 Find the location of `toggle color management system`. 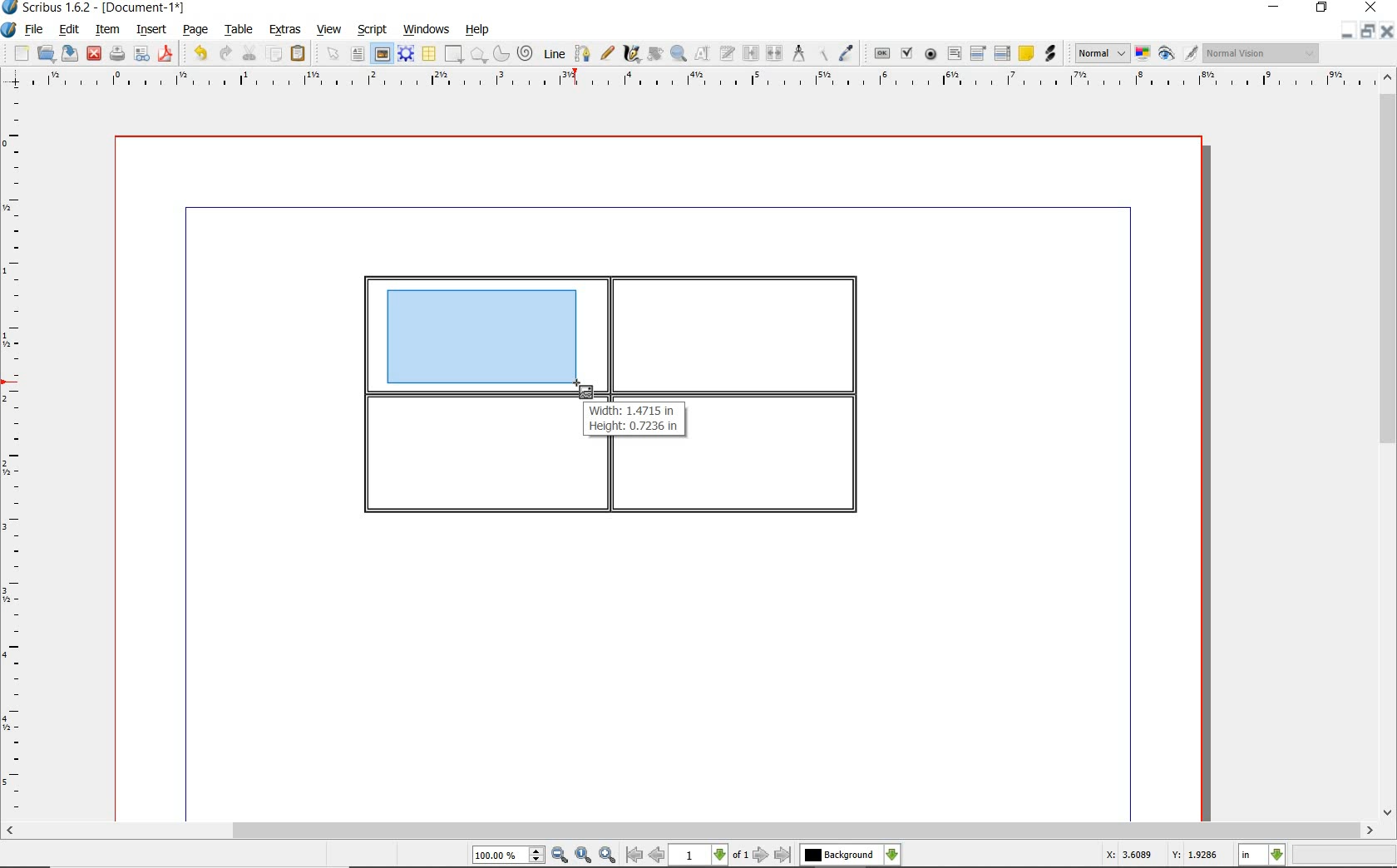

toggle color management system is located at coordinates (1144, 55).